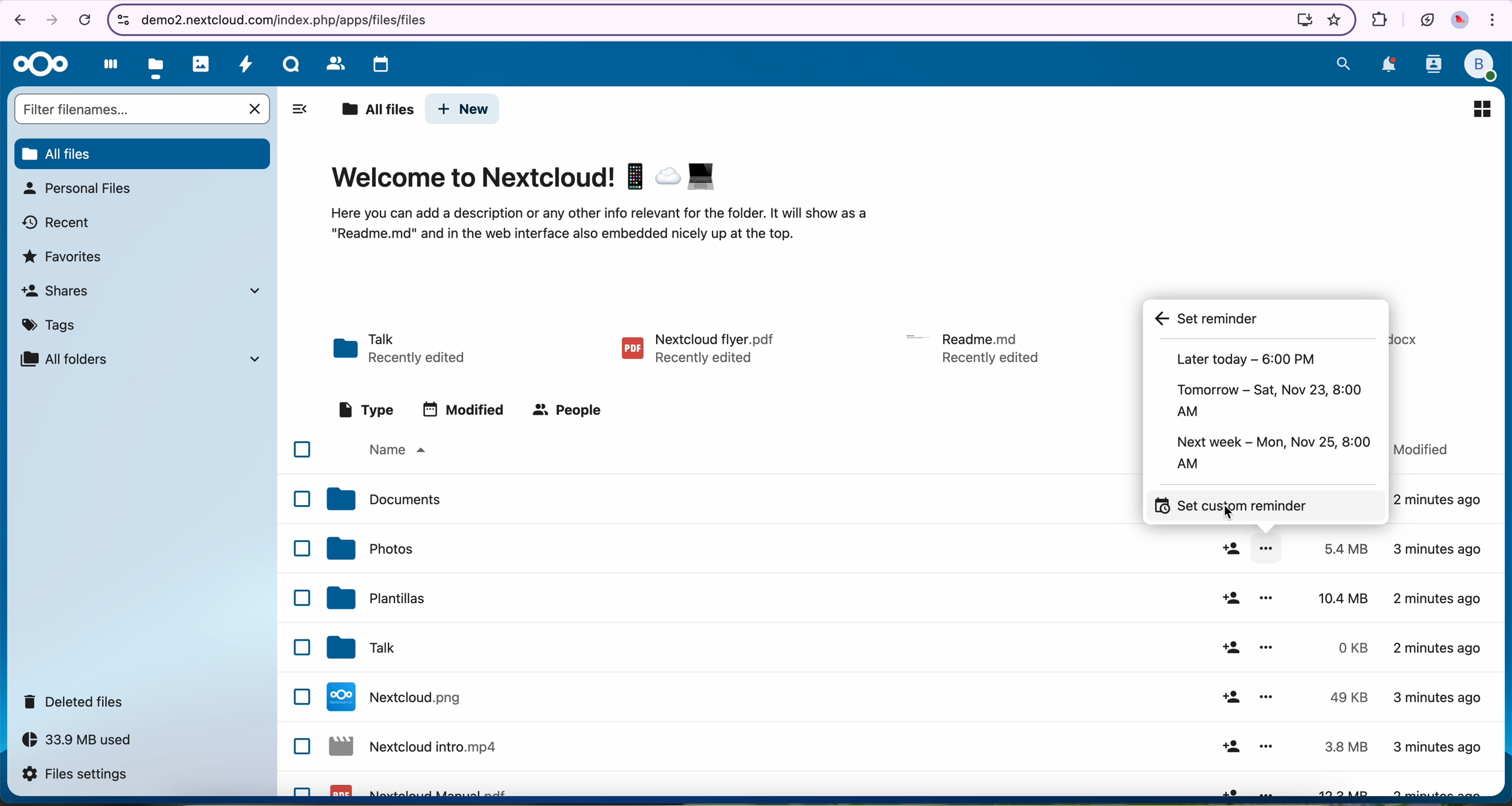  I want to click on name, so click(403, 450).